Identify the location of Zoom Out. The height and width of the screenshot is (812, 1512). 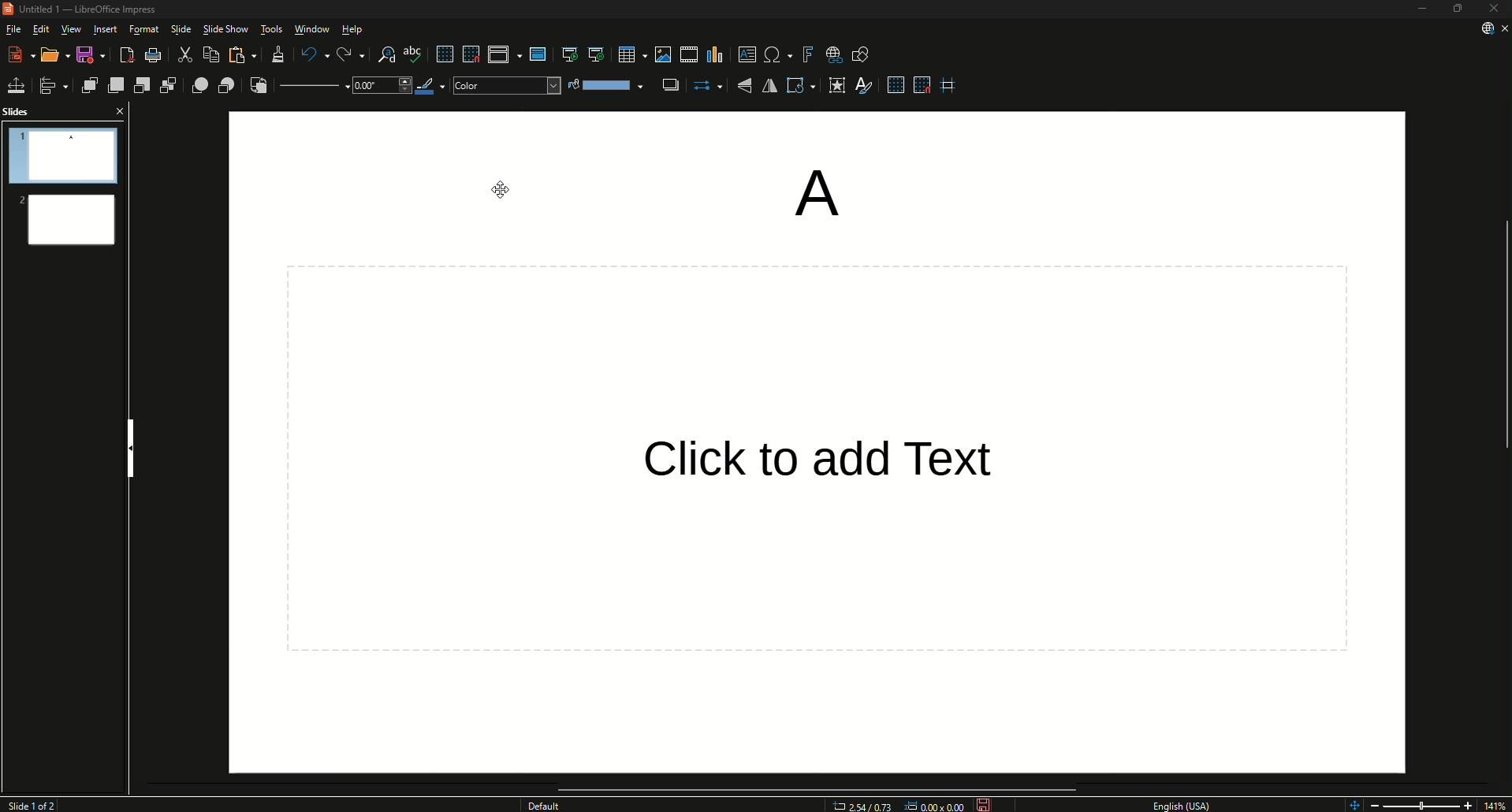
(1381, 803).